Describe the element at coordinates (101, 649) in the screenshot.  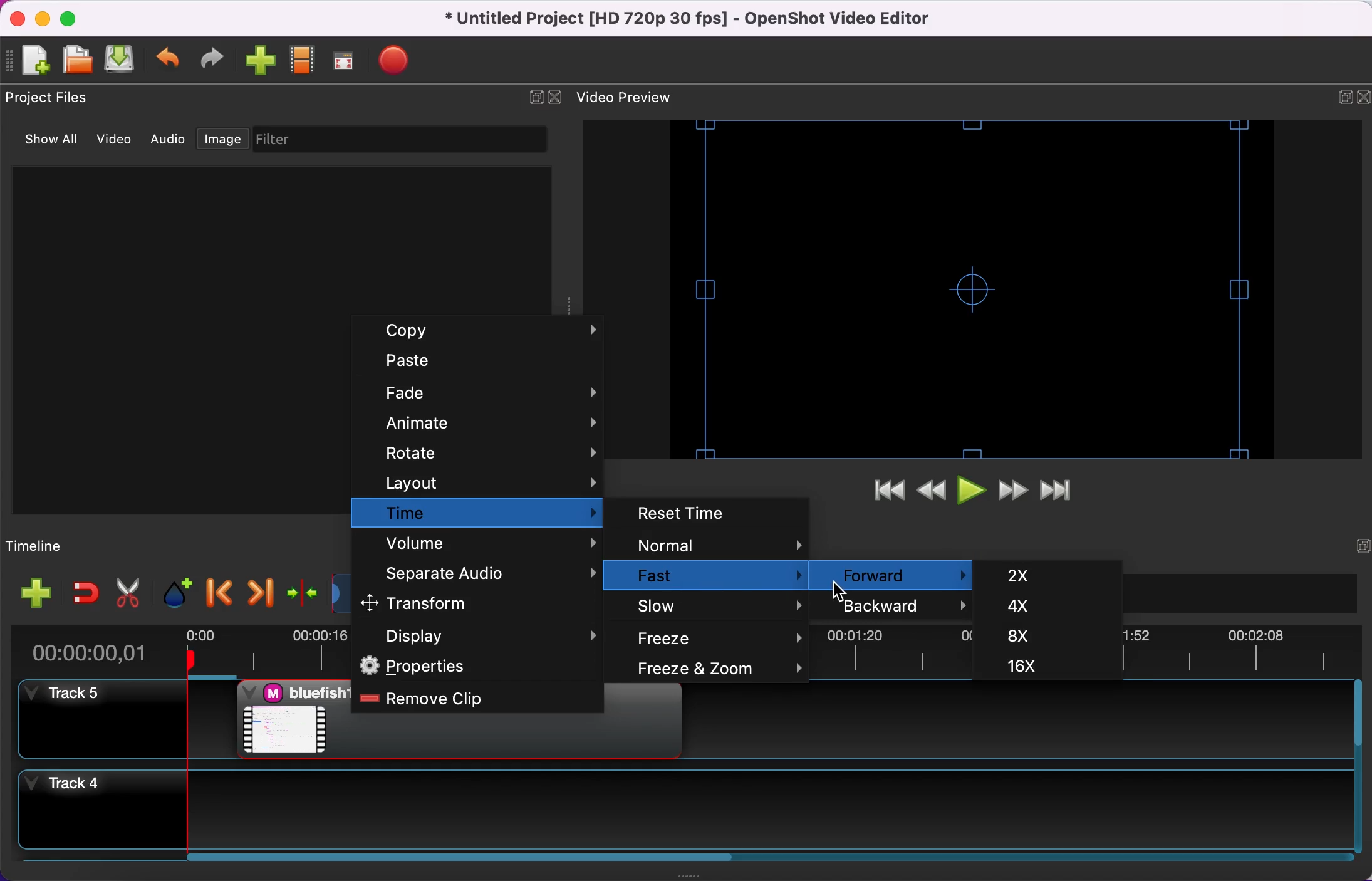
I see `time duration` at that location.